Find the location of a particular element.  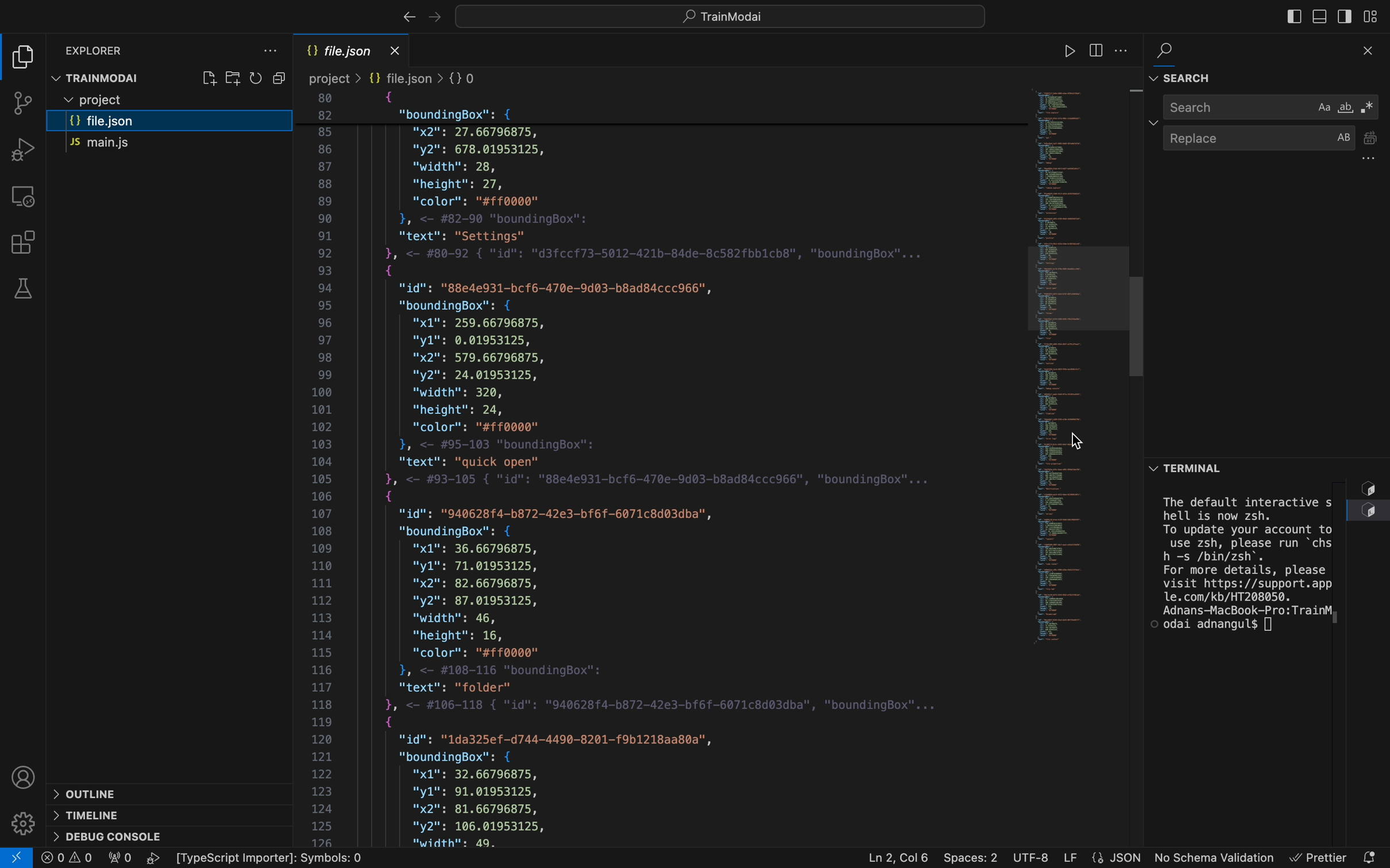

tests is located at coordinates (22, 288).